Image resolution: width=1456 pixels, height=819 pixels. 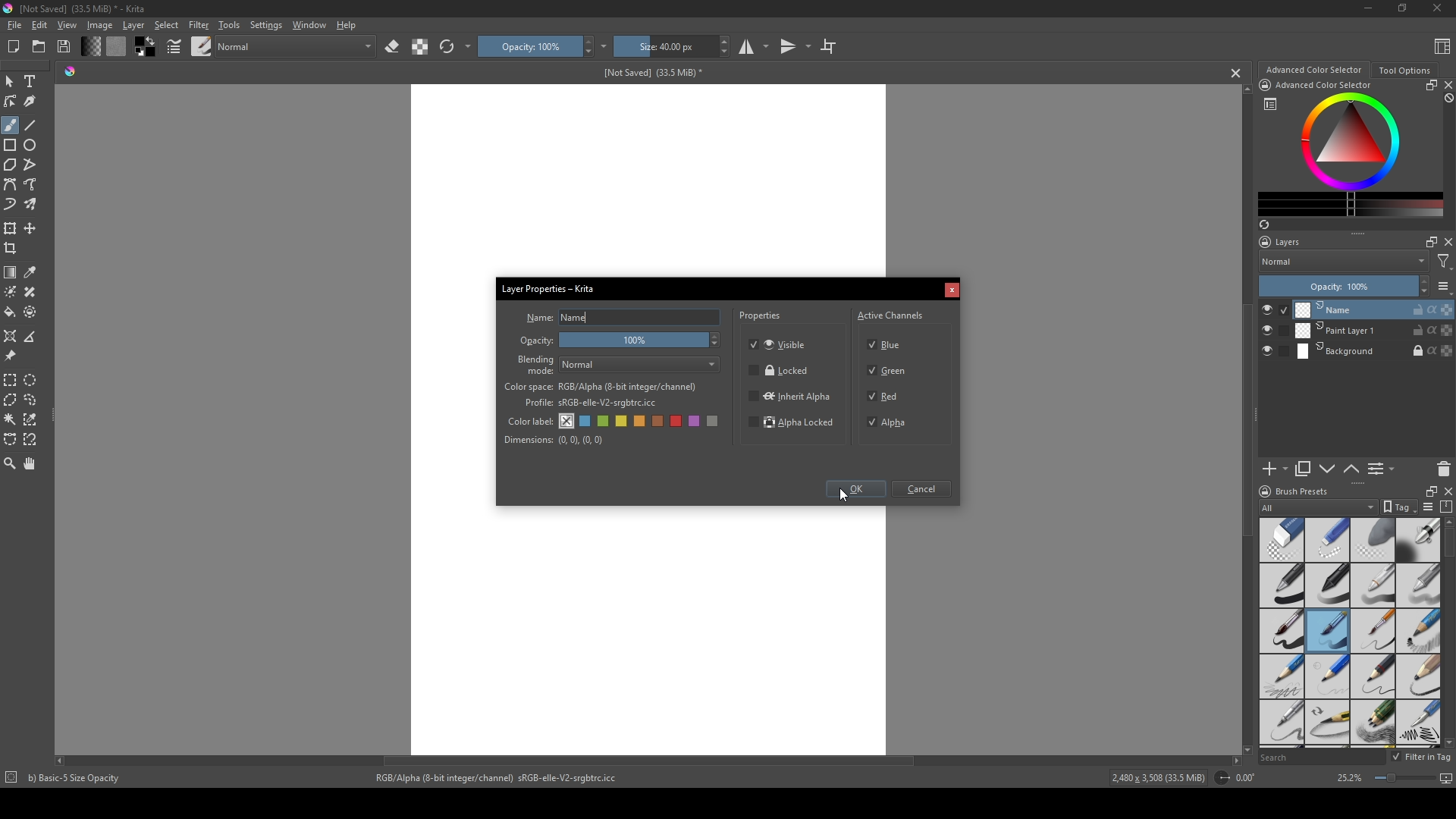 What do you see at coordinates (32, 101) in the screenshot?
I see `calligraphy` at bounding box center [32, 101].